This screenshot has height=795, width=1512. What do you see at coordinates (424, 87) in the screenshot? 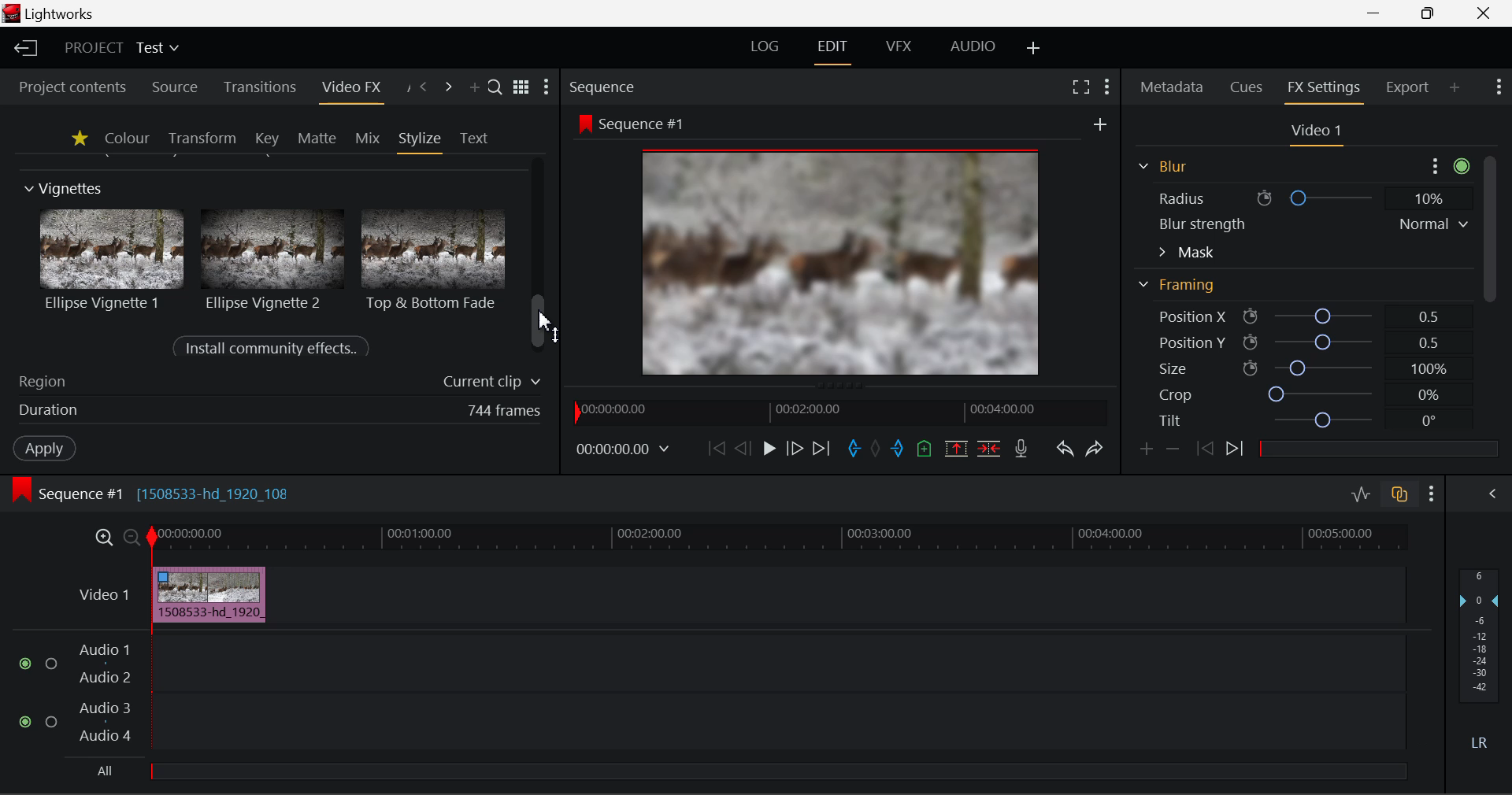
I see `Previous Panel` at bounding box center [424, 87].